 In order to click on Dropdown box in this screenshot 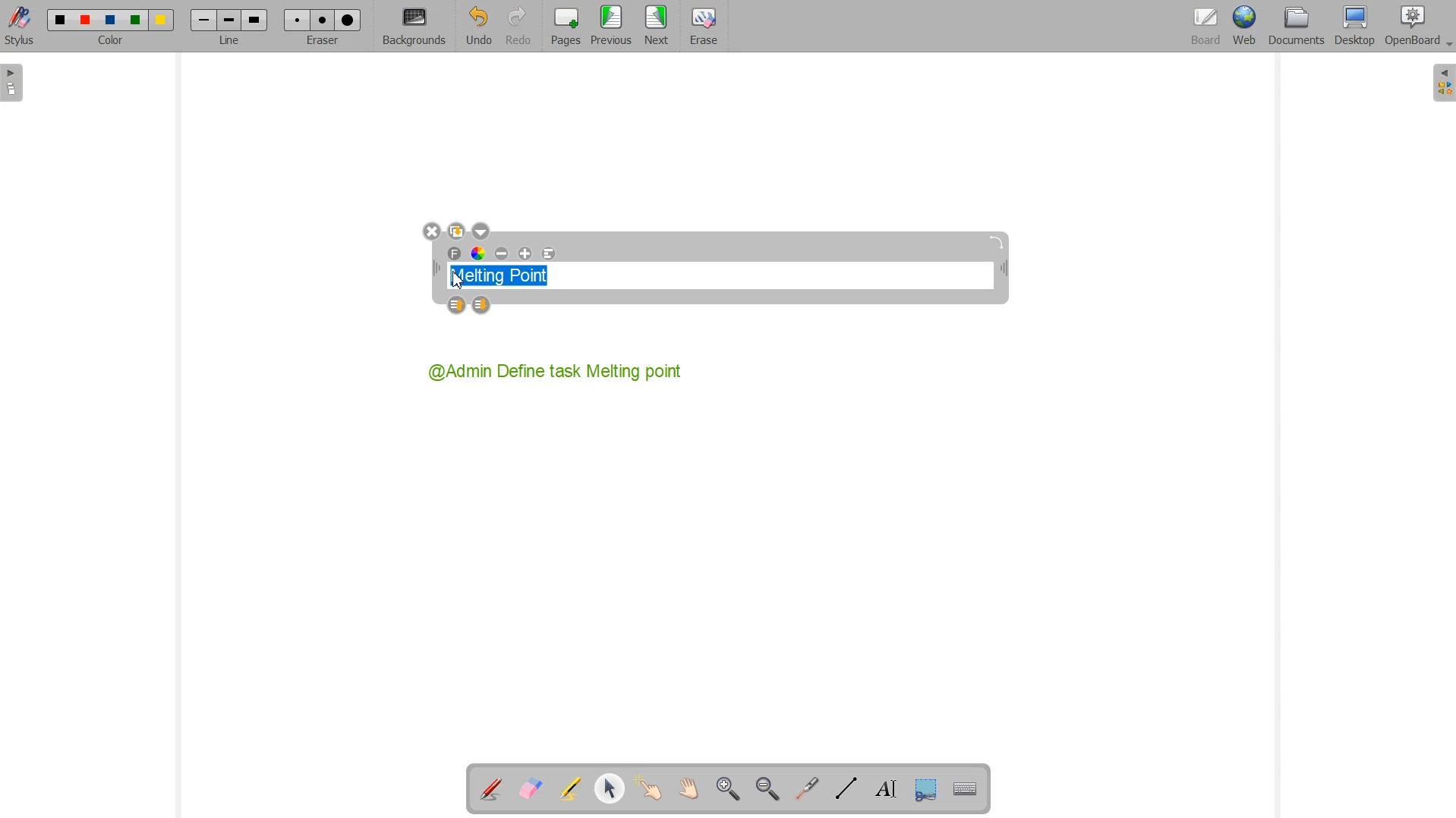, I will do `click(1447, 46)`.